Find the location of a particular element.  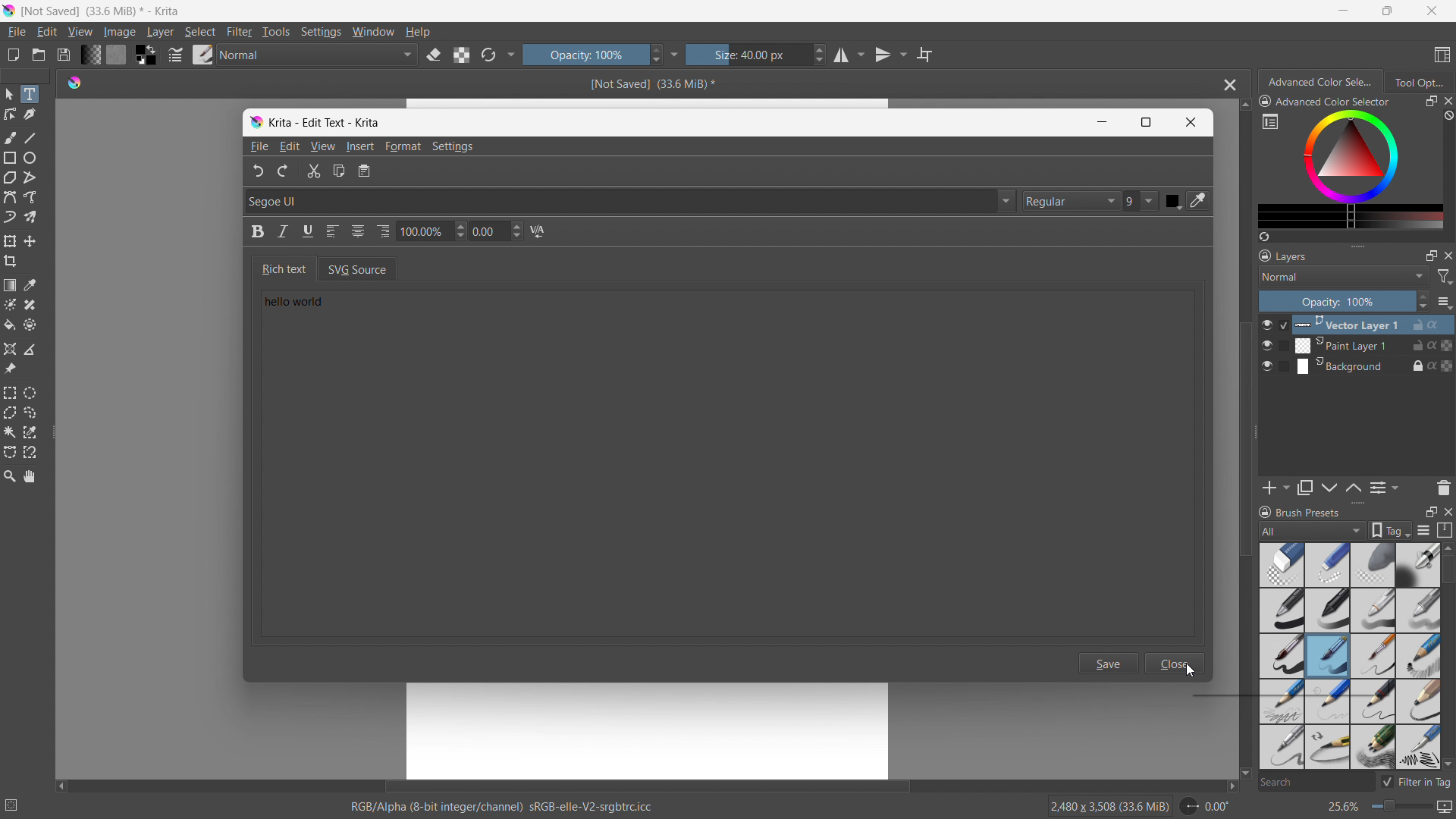

vertical scrollbar is located at coordinates (1241, 439).